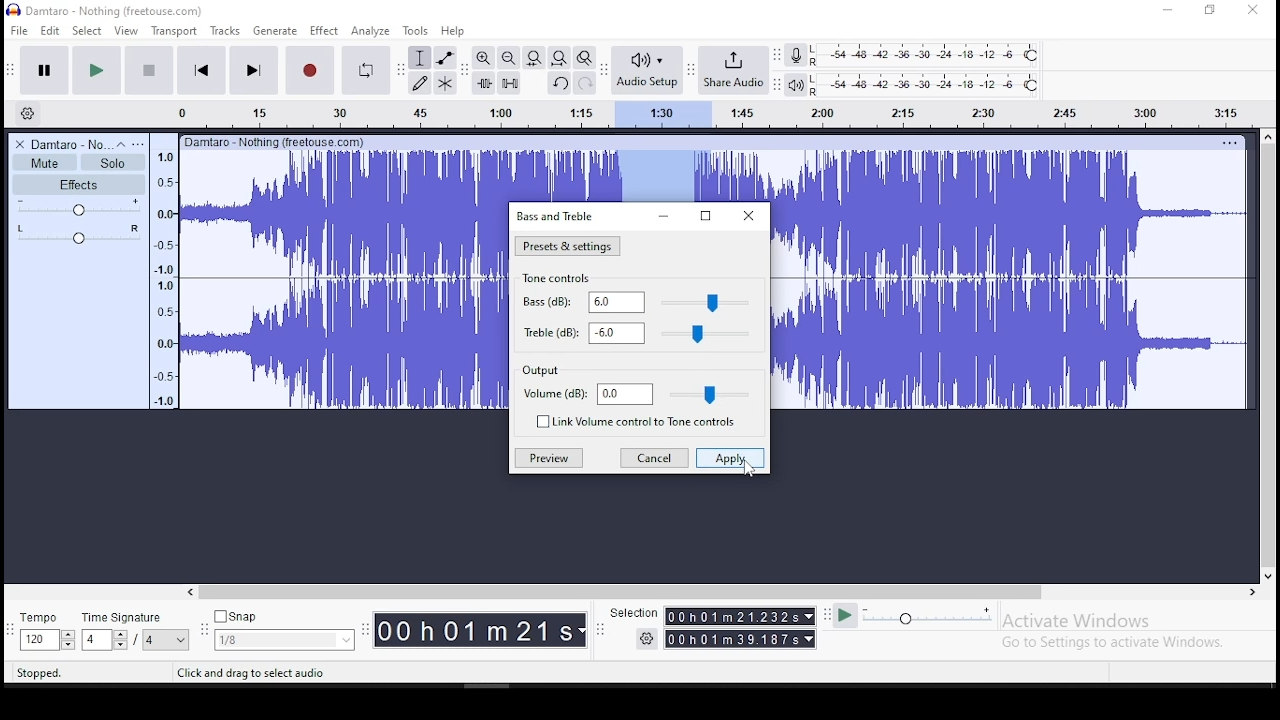  Describe the element at coordinates (308, 70) in the screenshot. I see `record` at that location.